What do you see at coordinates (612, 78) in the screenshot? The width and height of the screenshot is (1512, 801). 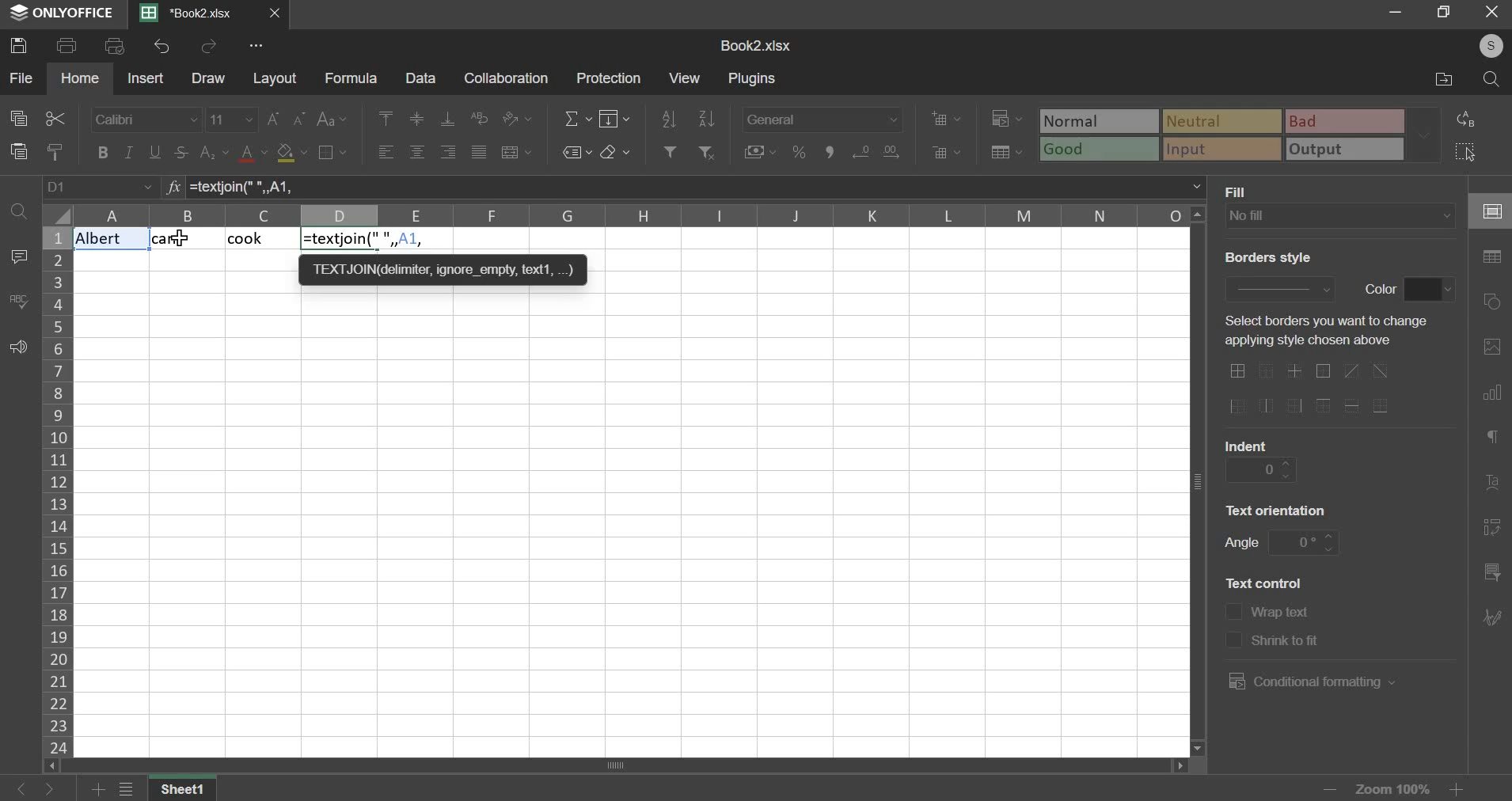 I see `protection` at bounding box center [612, 78].